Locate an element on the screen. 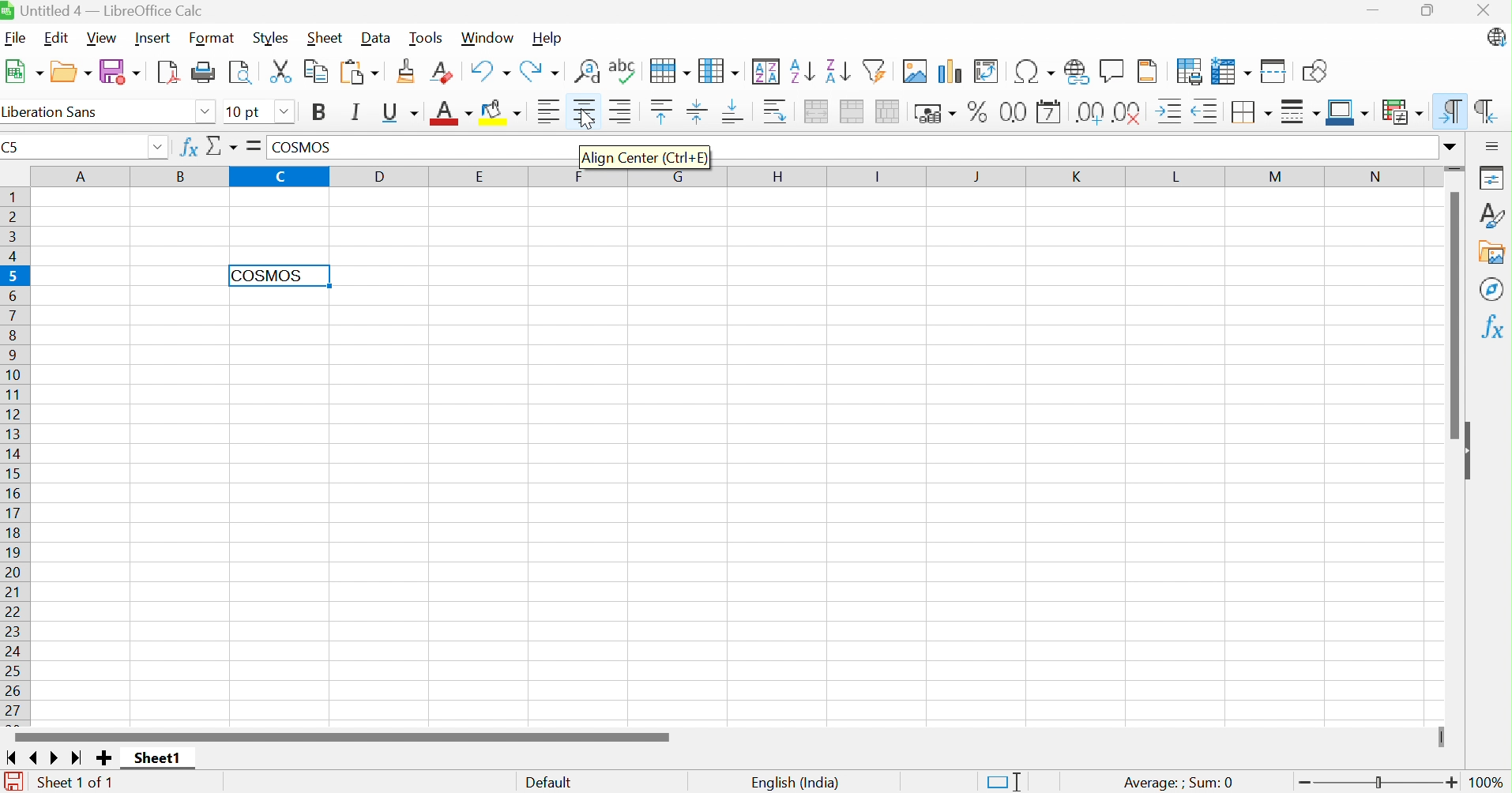 The width and height of the screenshot is (1512, 793). Scroll Bar is located at coordinates (1448, 316).